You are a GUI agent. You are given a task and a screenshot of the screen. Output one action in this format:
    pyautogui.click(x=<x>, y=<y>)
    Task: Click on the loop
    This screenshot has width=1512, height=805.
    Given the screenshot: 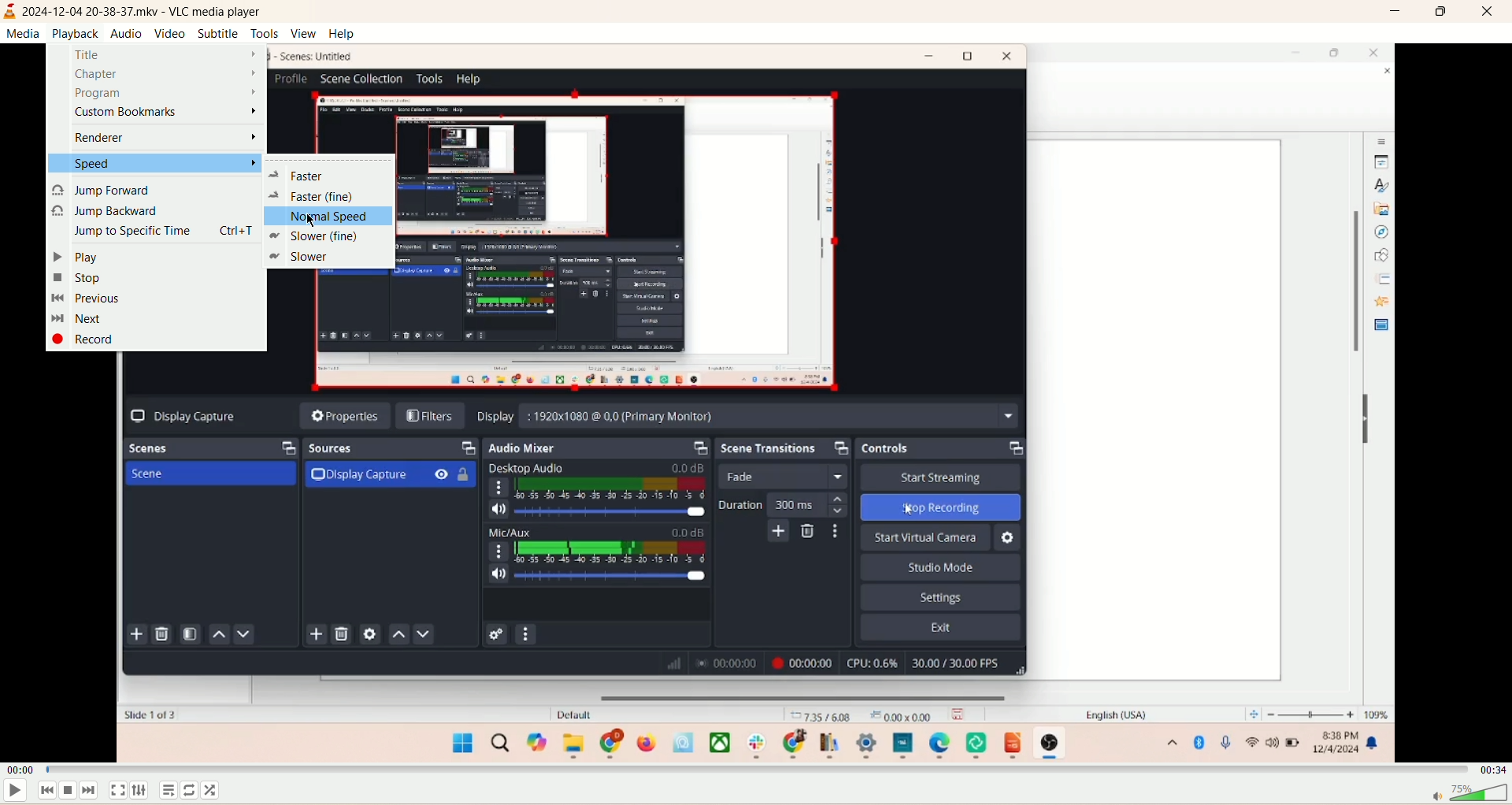 What is the action you would take?
    pyautogui.click(x=190, y=790)
    